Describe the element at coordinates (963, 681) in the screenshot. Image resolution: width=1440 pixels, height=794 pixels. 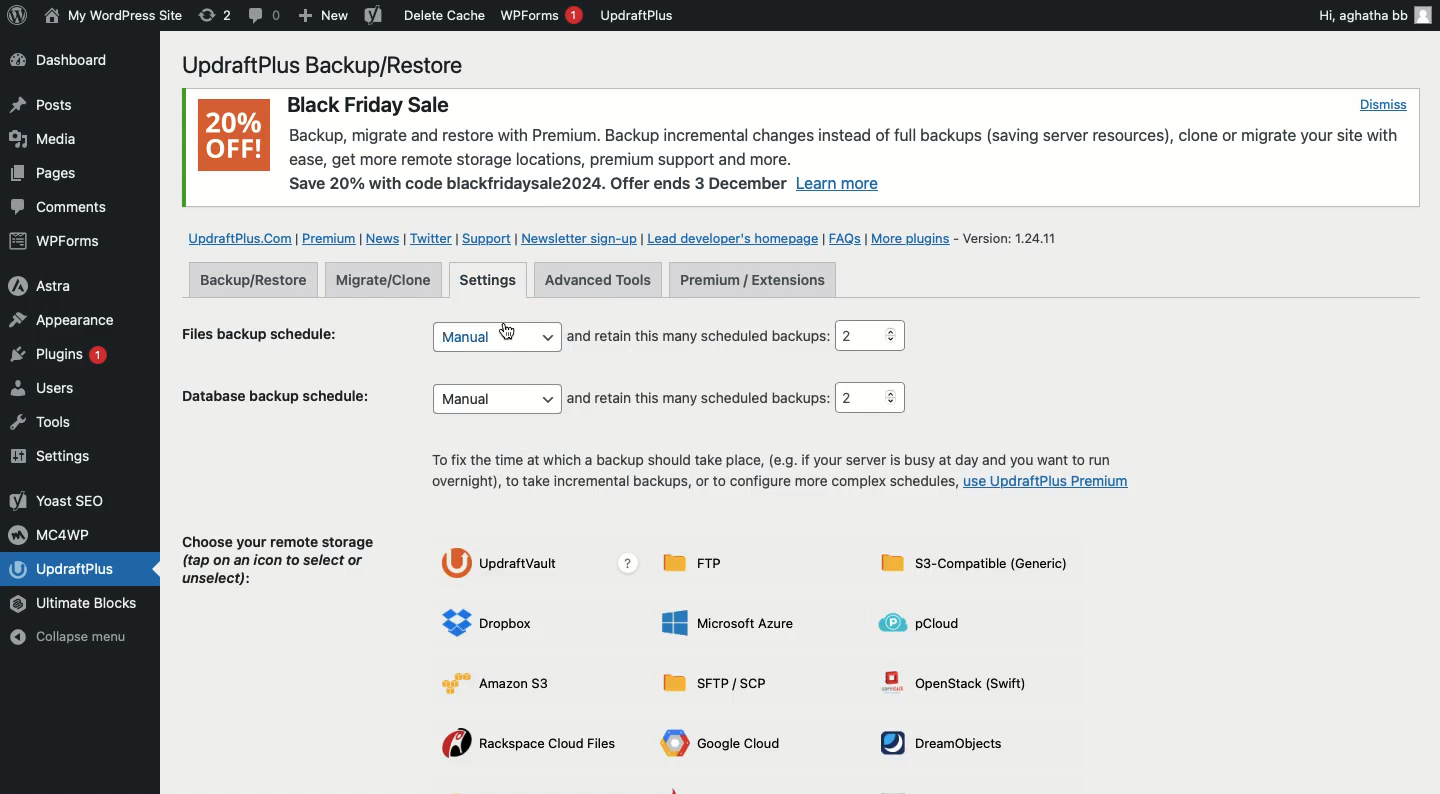
I see `OpenStack` at that location.